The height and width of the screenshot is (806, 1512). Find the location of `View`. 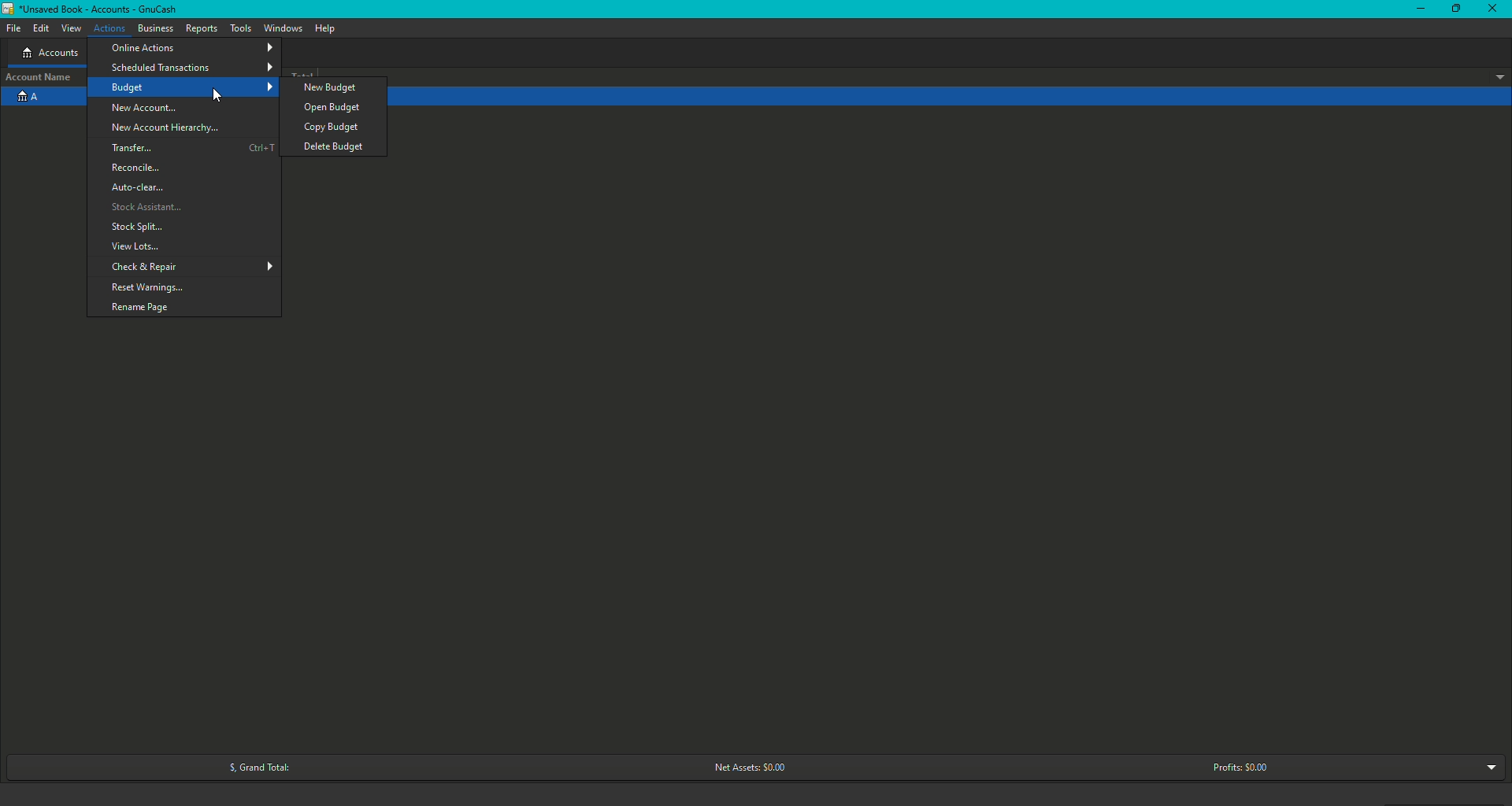

View is located at coordinates (72, 29).